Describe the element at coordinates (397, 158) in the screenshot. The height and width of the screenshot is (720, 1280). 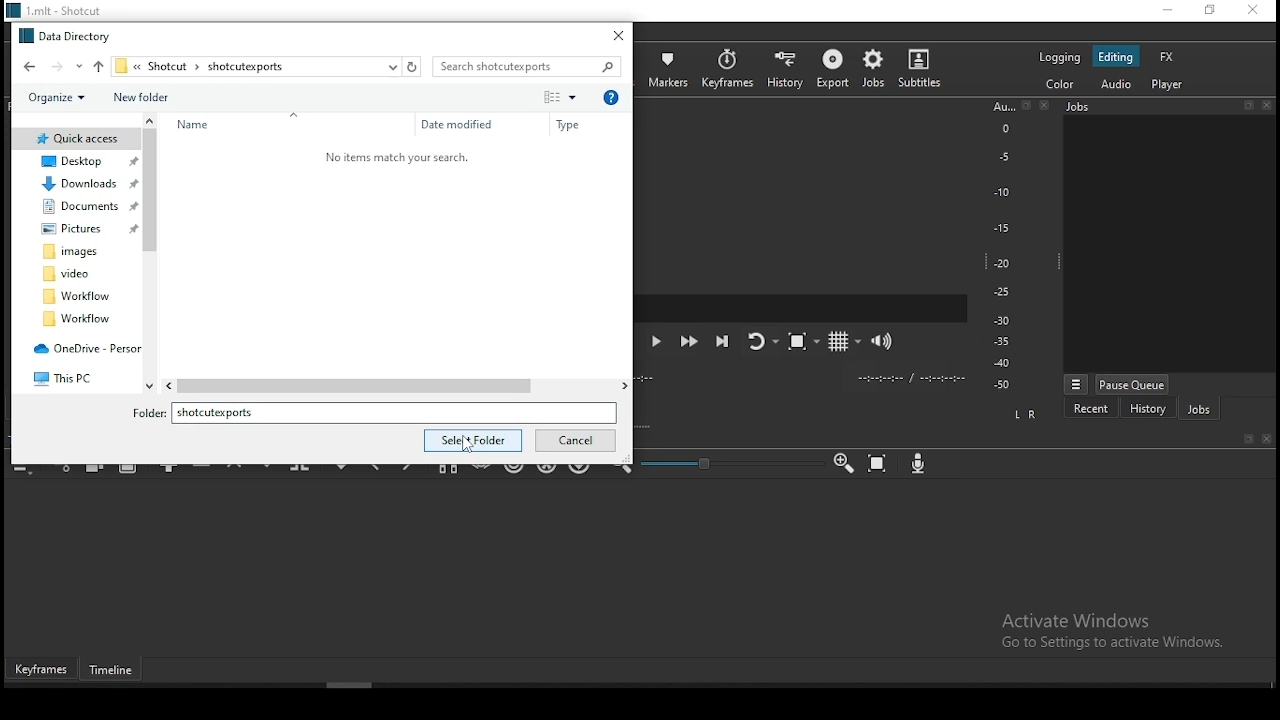
I see `No items match your search` at that location.